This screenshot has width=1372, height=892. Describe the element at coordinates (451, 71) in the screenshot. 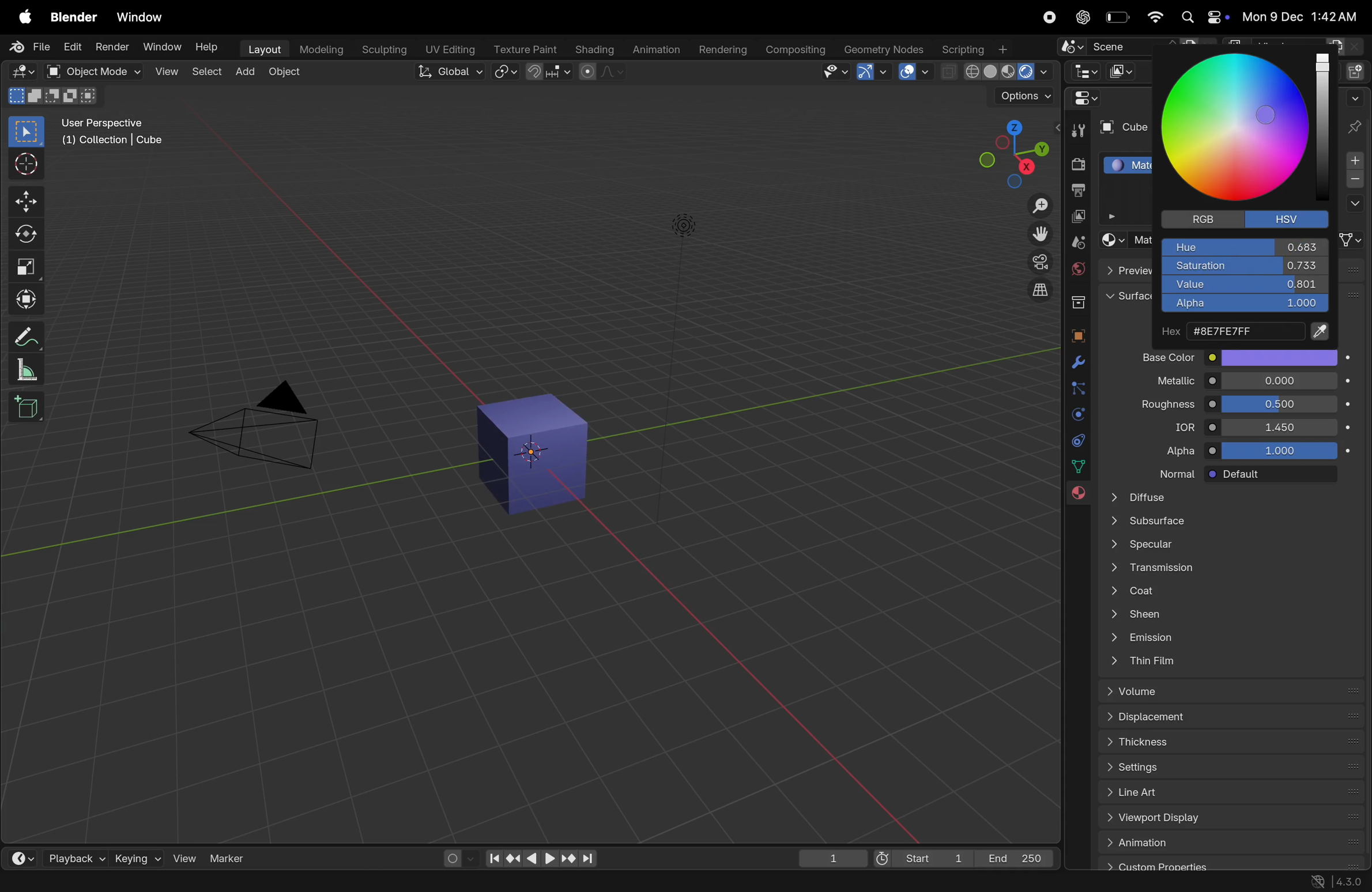

I see `Global` at that location.